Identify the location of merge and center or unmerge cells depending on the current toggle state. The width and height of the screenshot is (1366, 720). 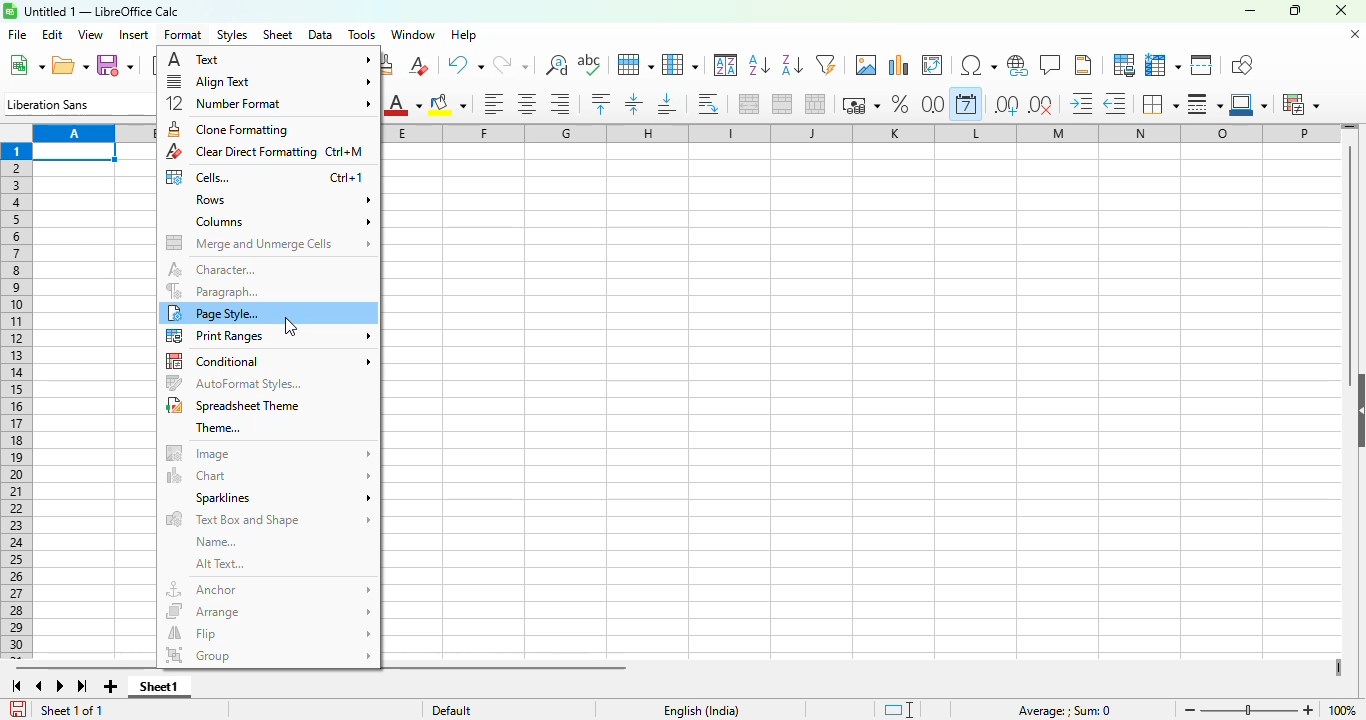
(750, 104).